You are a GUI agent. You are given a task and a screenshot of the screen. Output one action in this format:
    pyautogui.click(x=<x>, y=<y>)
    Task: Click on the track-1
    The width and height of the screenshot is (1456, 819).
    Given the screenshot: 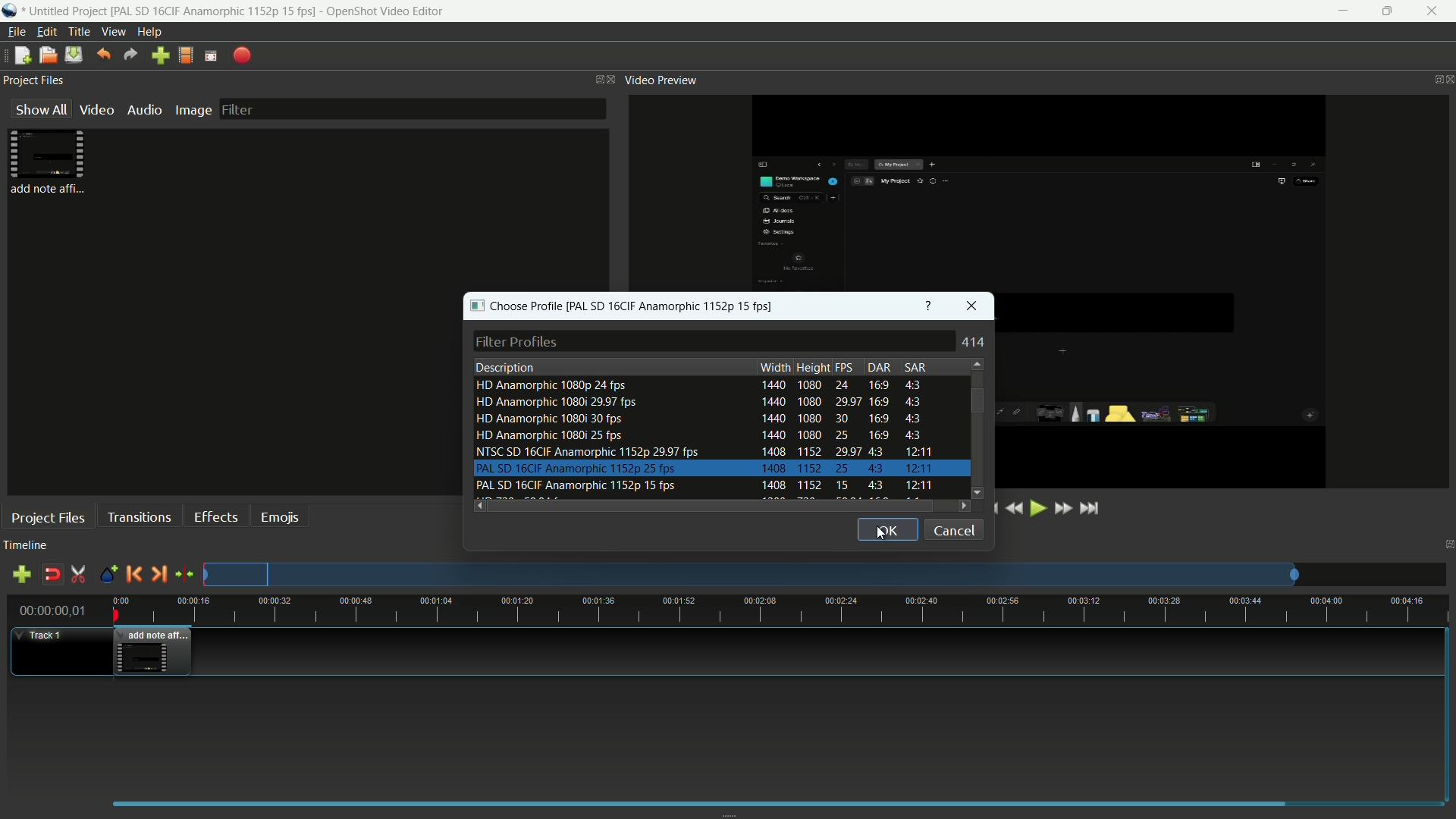 What is the action you would take?
    pyautogui.click(x=44, y=635)
    